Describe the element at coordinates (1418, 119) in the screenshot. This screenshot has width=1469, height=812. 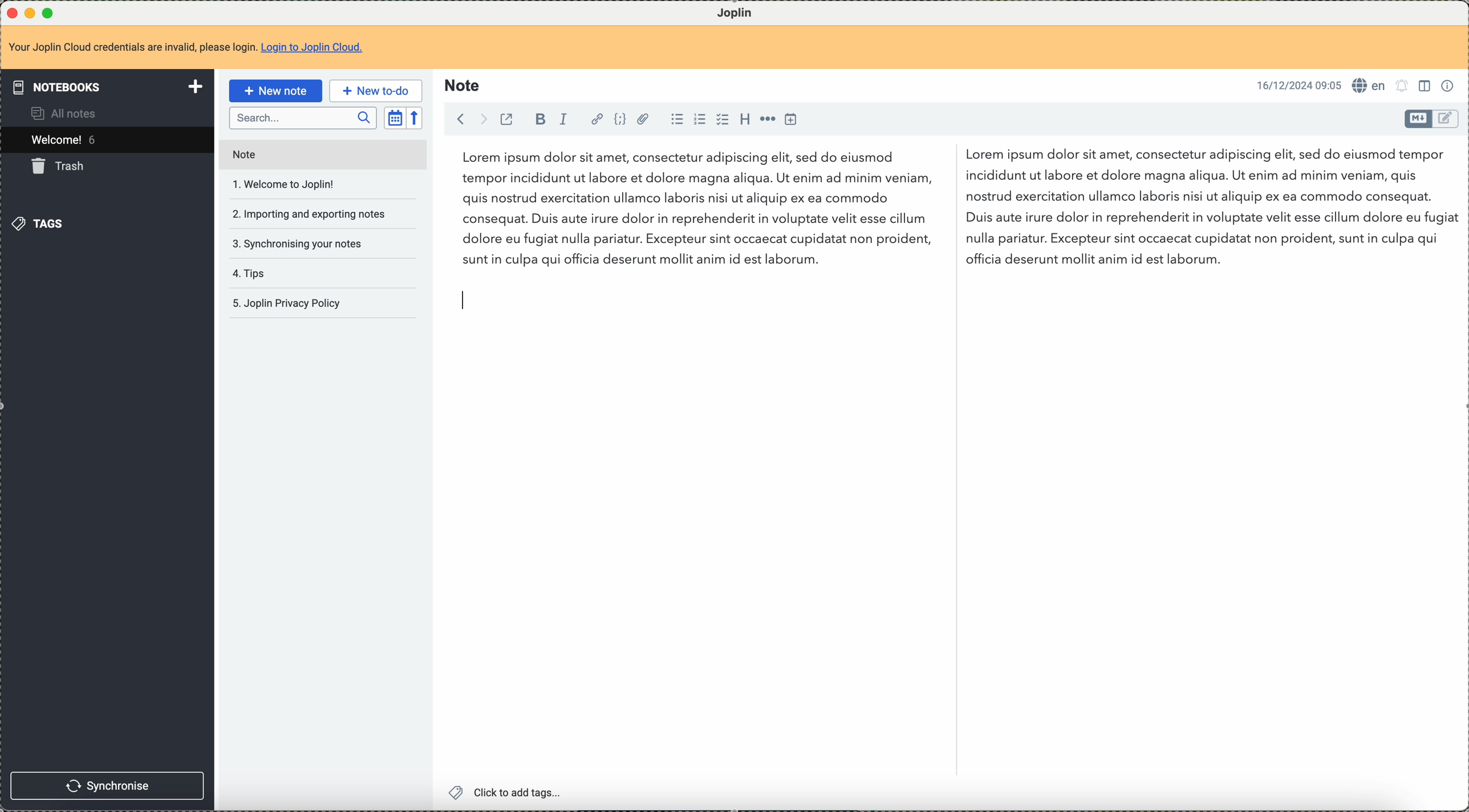
I see `toggle editor` at that location.